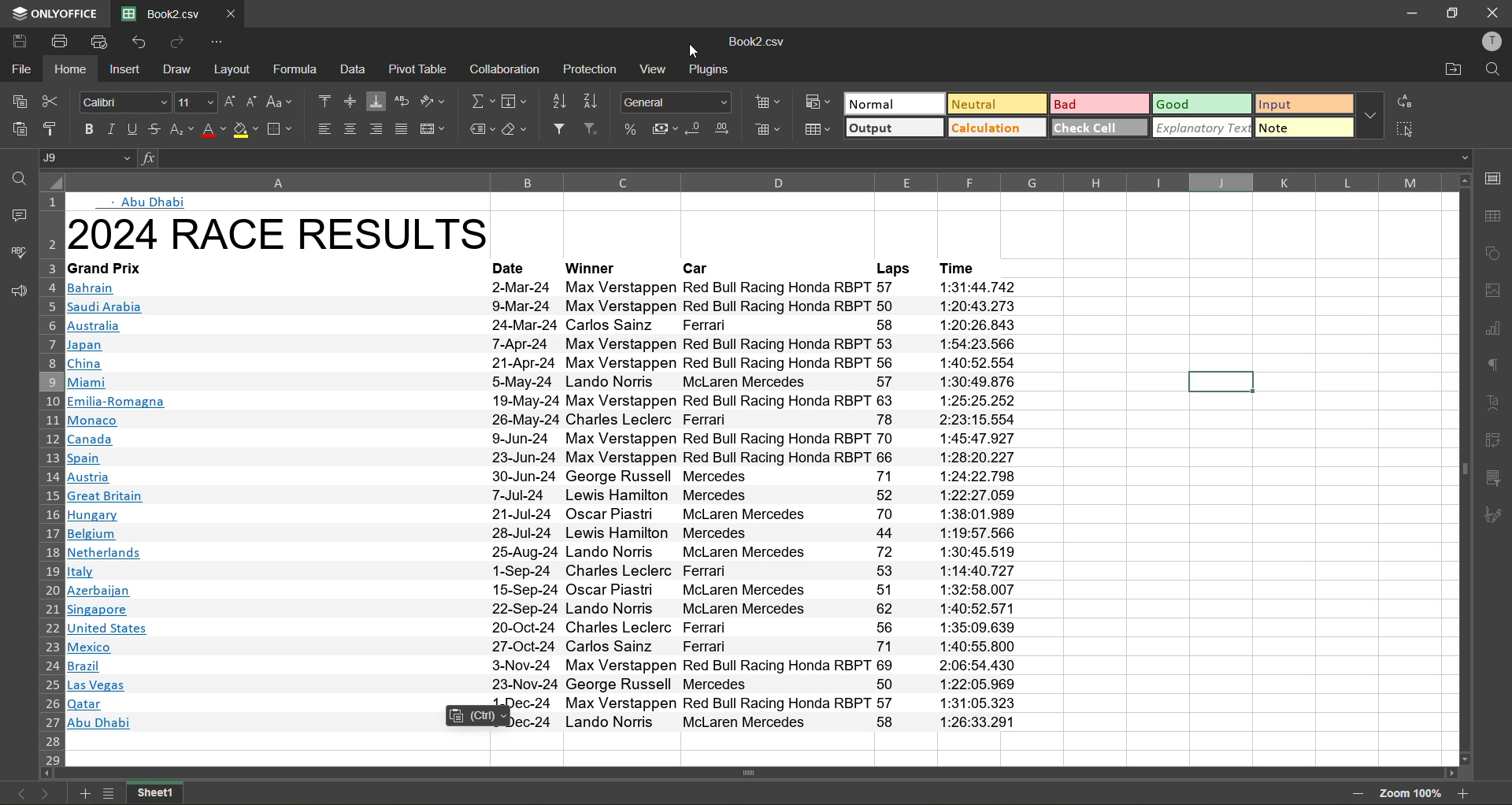  I want to click on align bottom, so click(375, 103).